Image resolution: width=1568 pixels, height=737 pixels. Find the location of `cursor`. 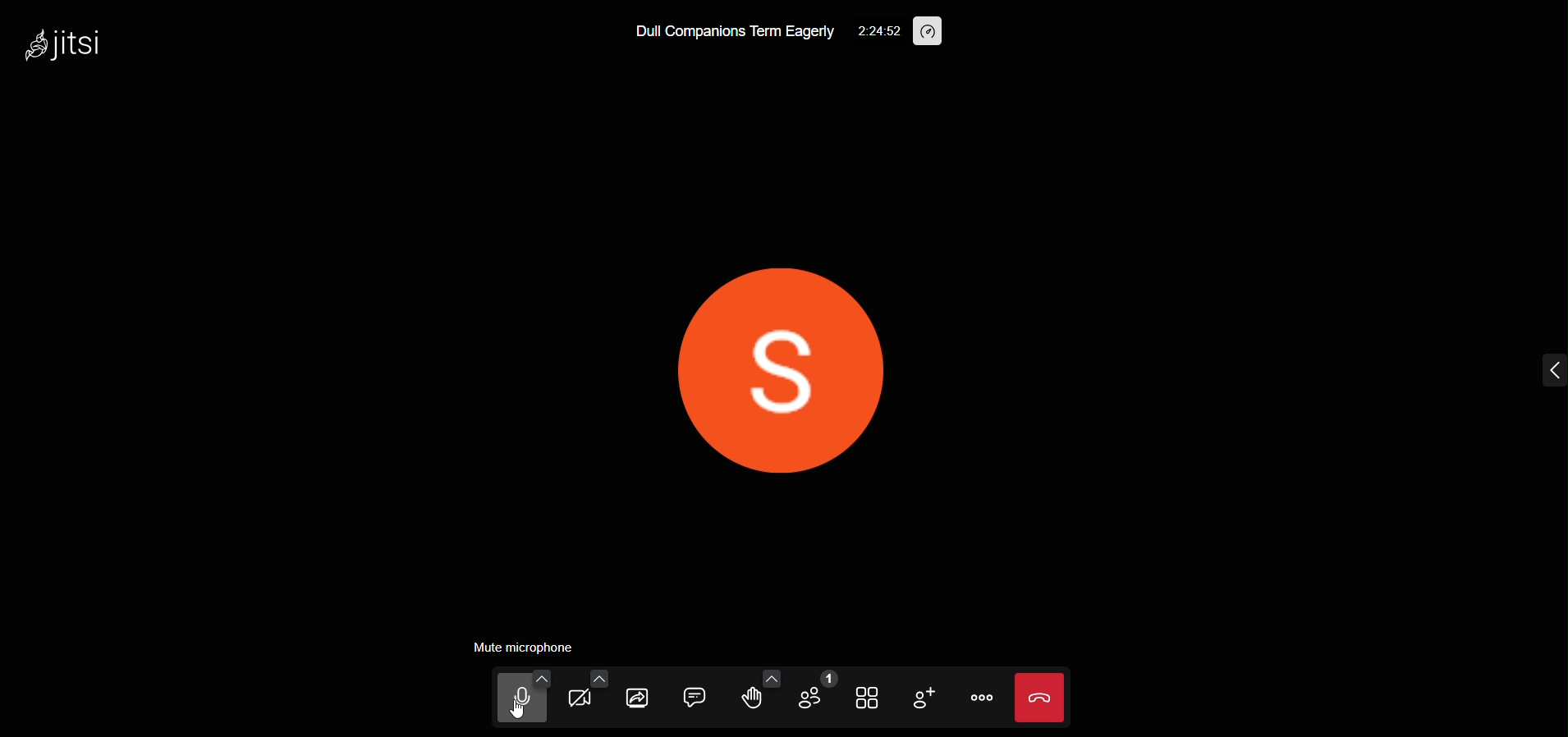

cursor is located at coordinates (511, 712).